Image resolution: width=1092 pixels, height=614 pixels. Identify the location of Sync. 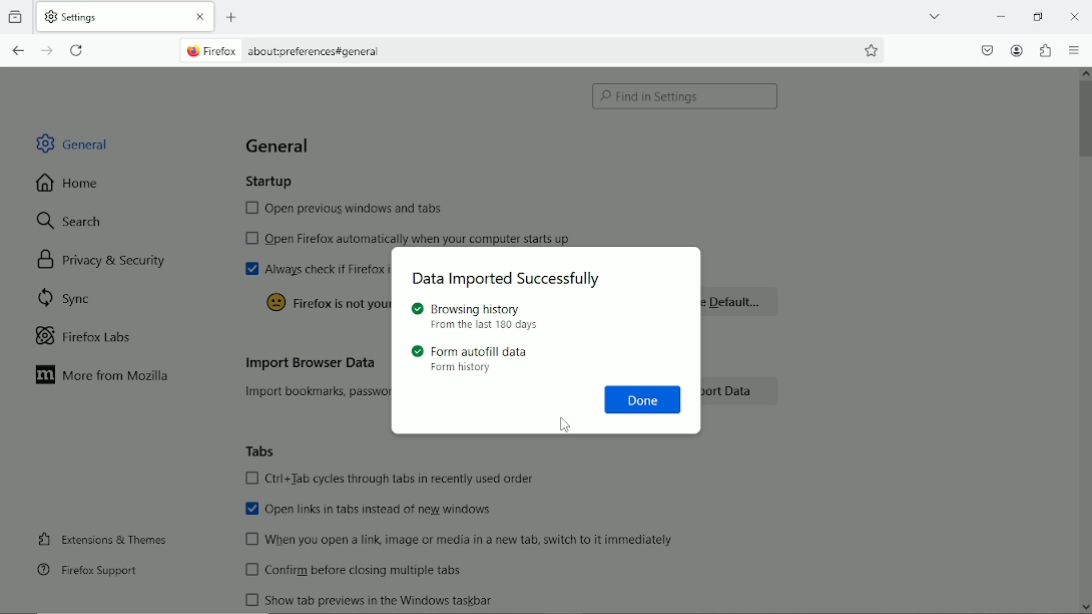
(71, 298).